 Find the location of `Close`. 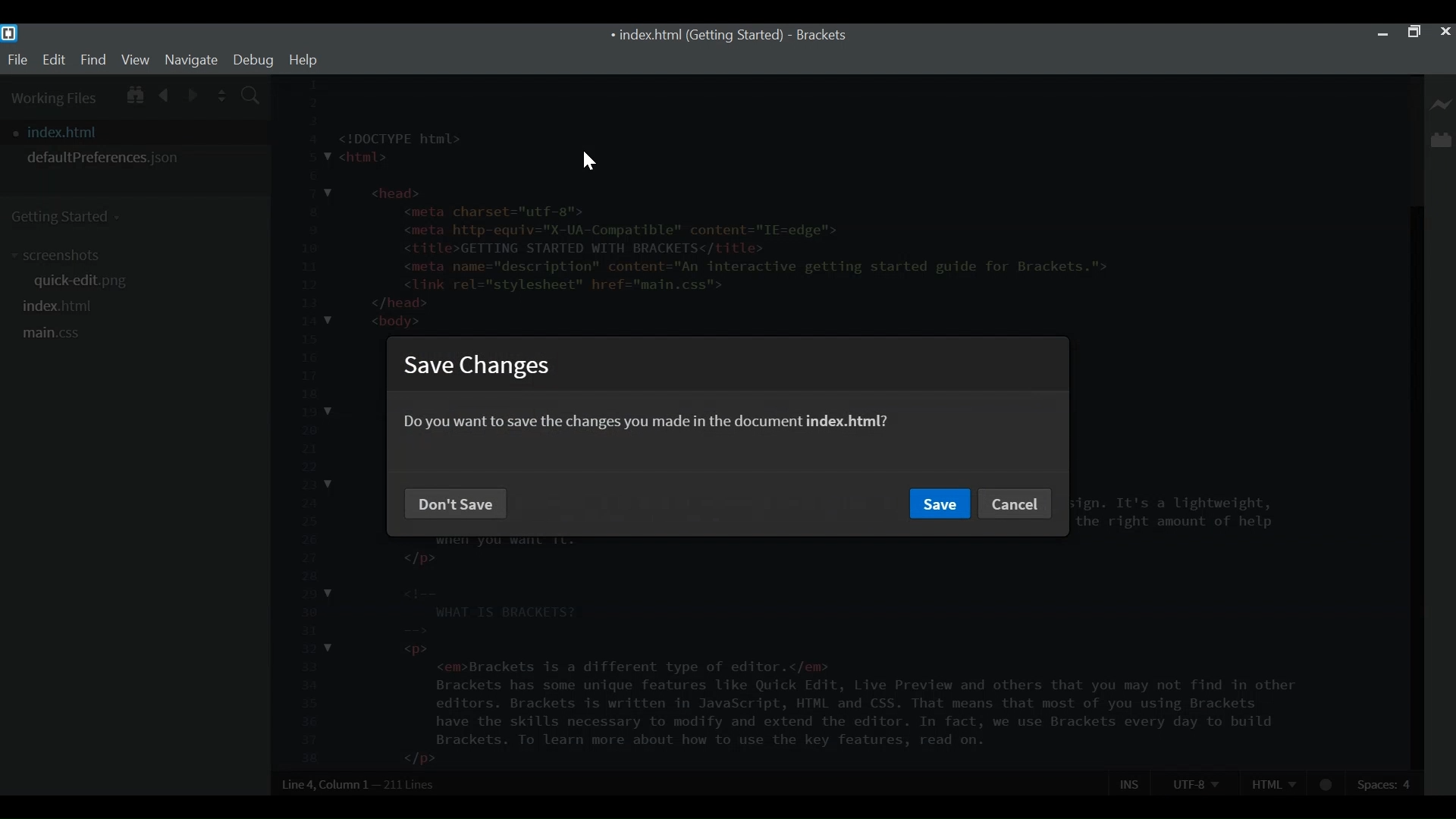

Close is located at coordinates (1445, 32).